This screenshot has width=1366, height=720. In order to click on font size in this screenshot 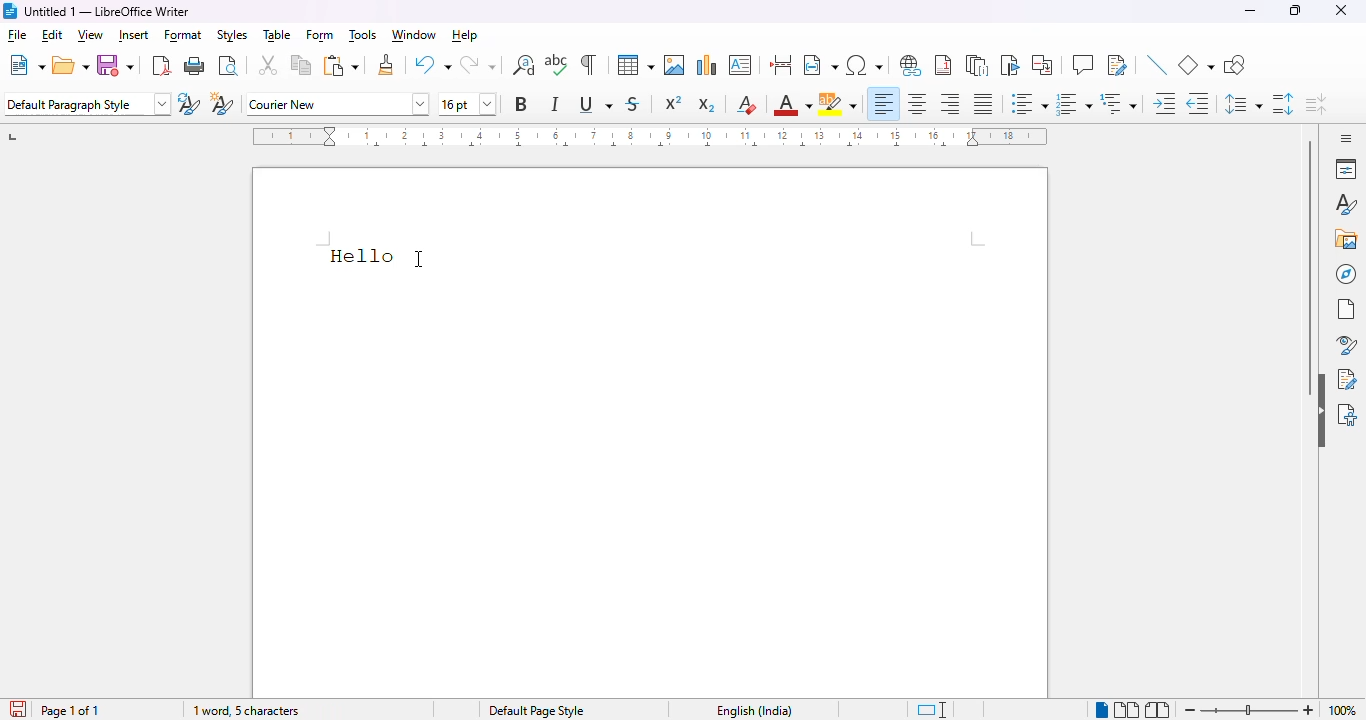, I will do `click(468, 104)`.